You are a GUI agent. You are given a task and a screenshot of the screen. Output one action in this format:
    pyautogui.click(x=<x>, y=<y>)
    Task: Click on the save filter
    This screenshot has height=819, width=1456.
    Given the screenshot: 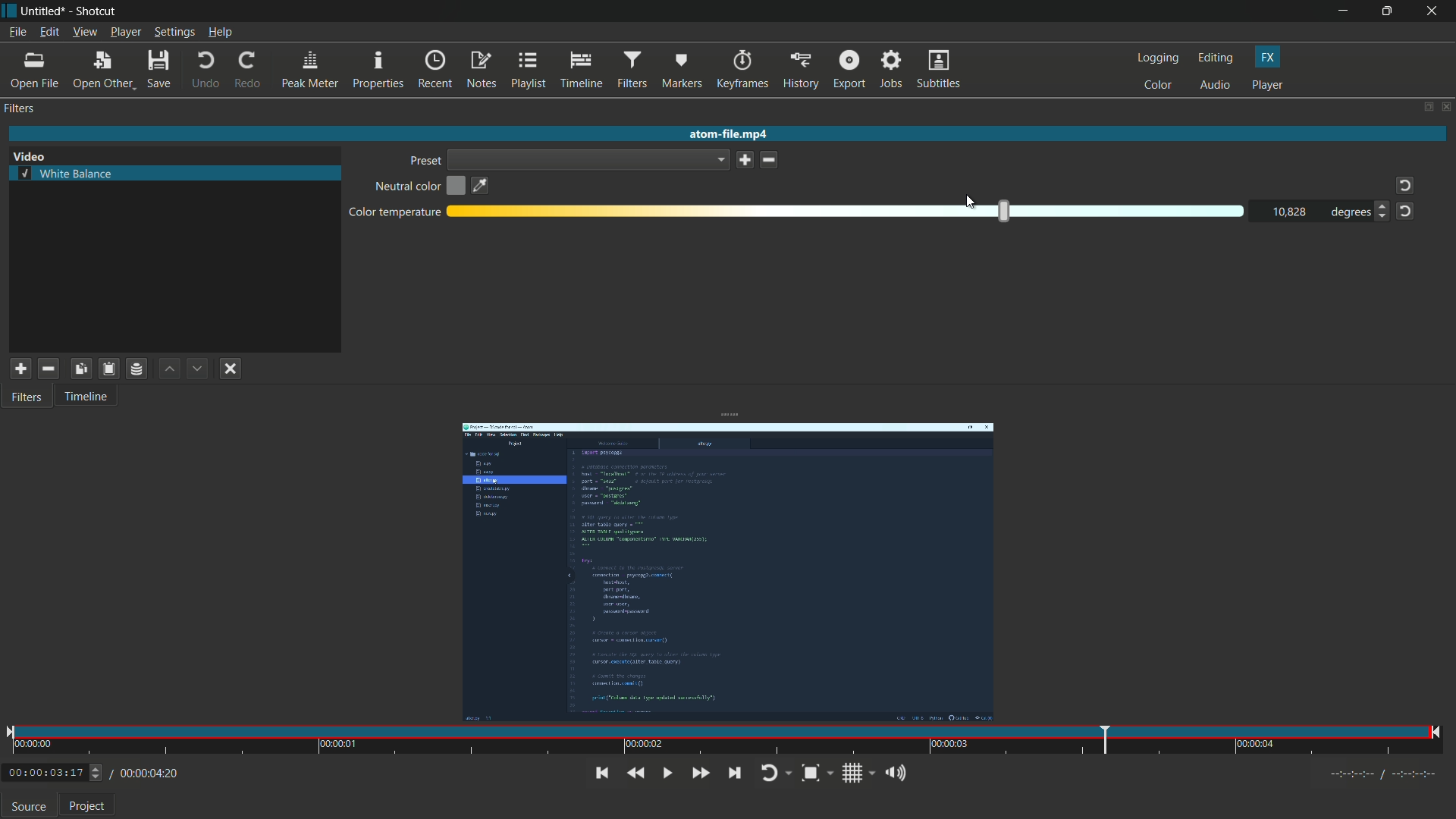 What is the action you would take?
    pyautogui.click(x=108, y=369)
    